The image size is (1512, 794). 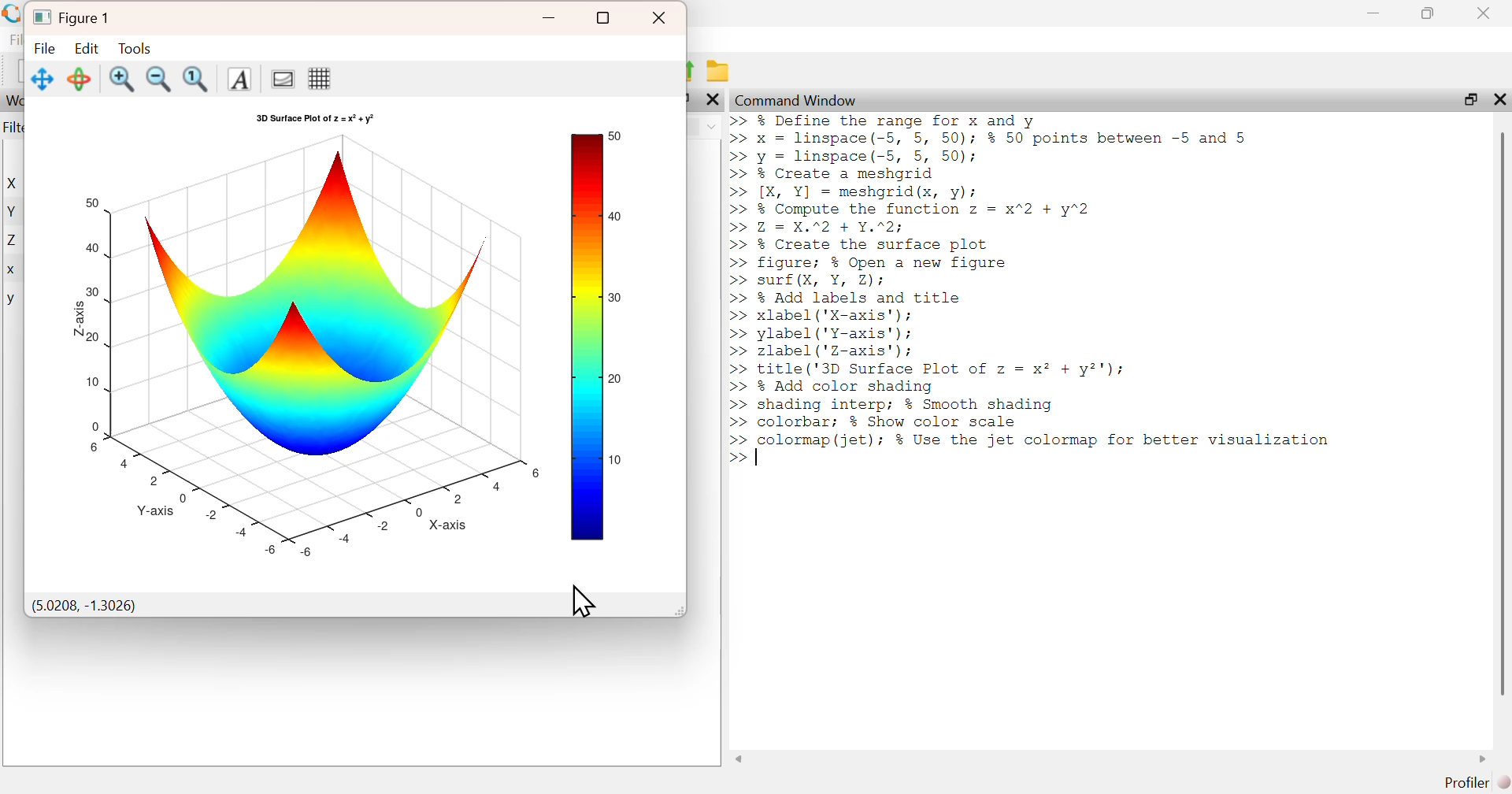 I want to click on maximize, so click(x=1469, y=98).